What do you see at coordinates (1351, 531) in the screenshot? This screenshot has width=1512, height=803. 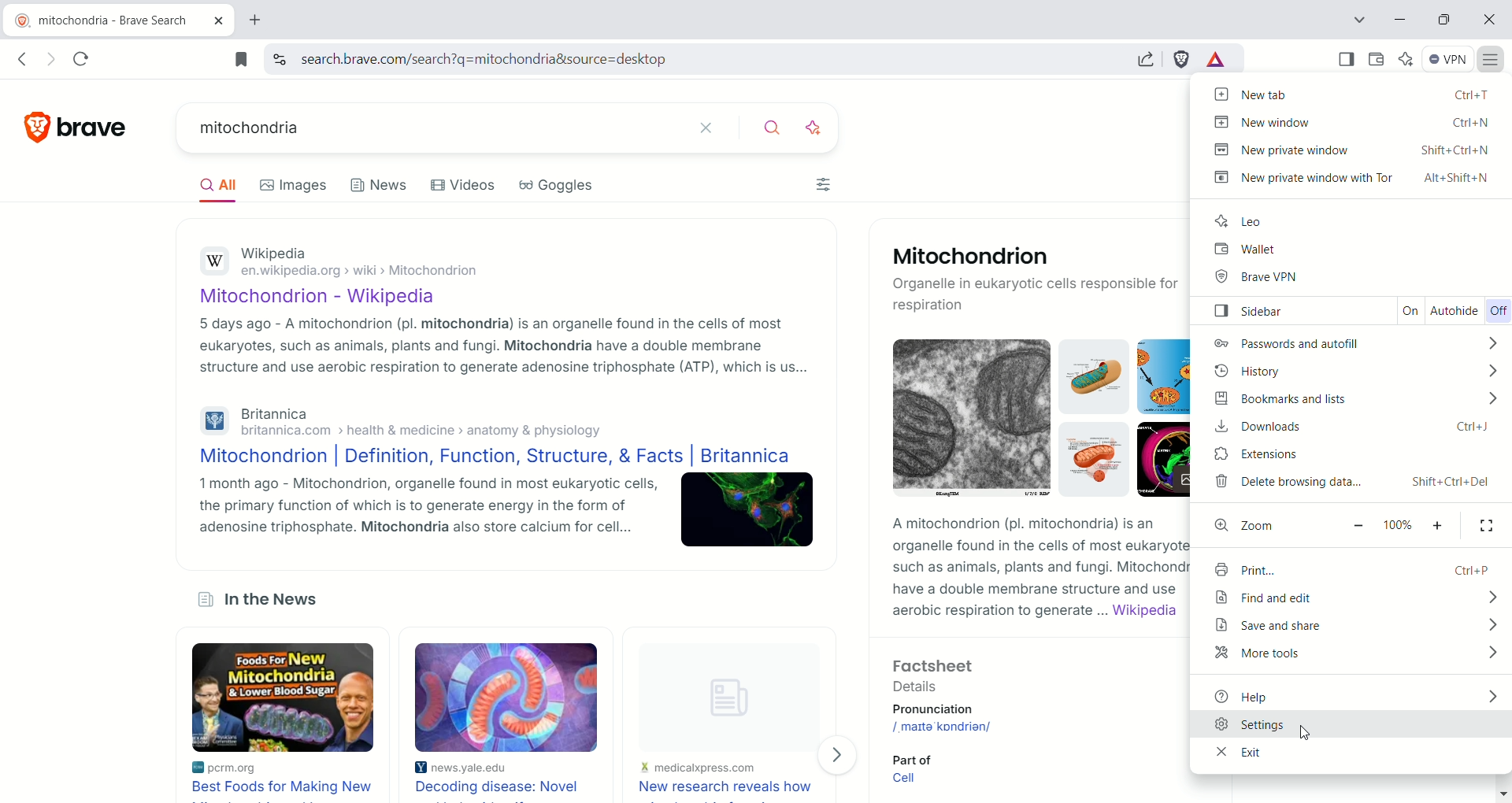 I see `make text smaller` at bounding box center [1351, 531].